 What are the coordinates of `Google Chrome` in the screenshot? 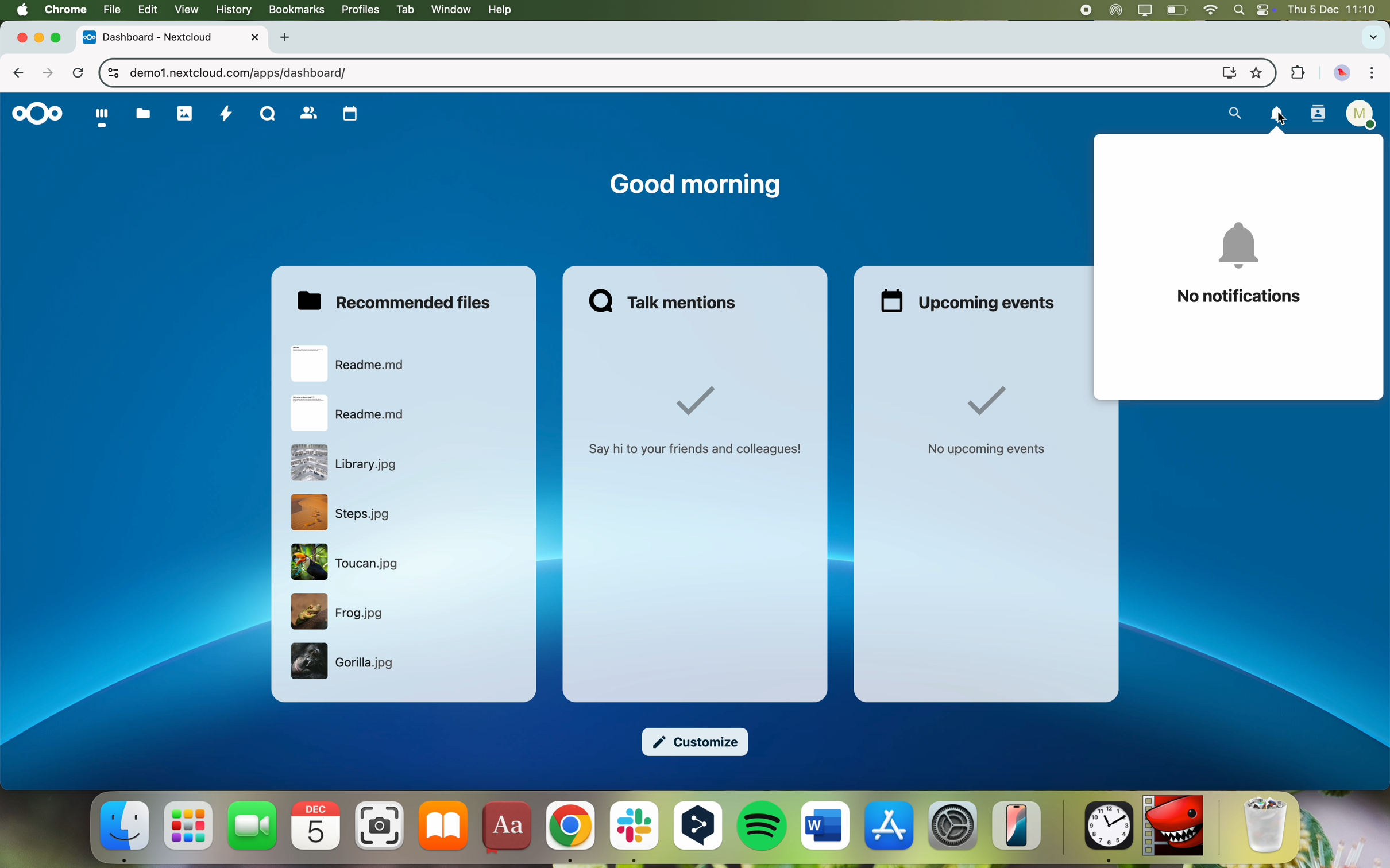 It's located at (569, 832).